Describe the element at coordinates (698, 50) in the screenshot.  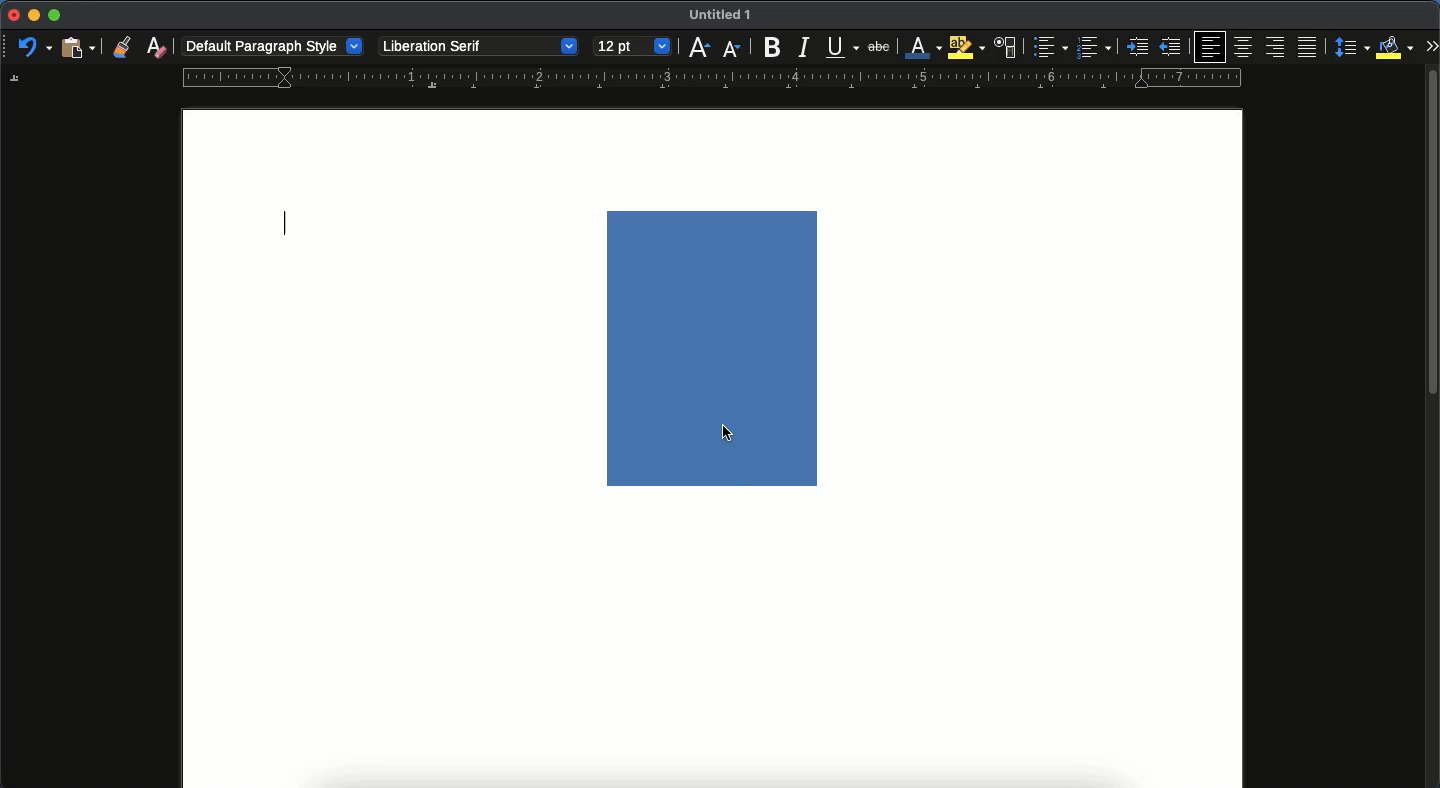
I see `increase size` at that location.